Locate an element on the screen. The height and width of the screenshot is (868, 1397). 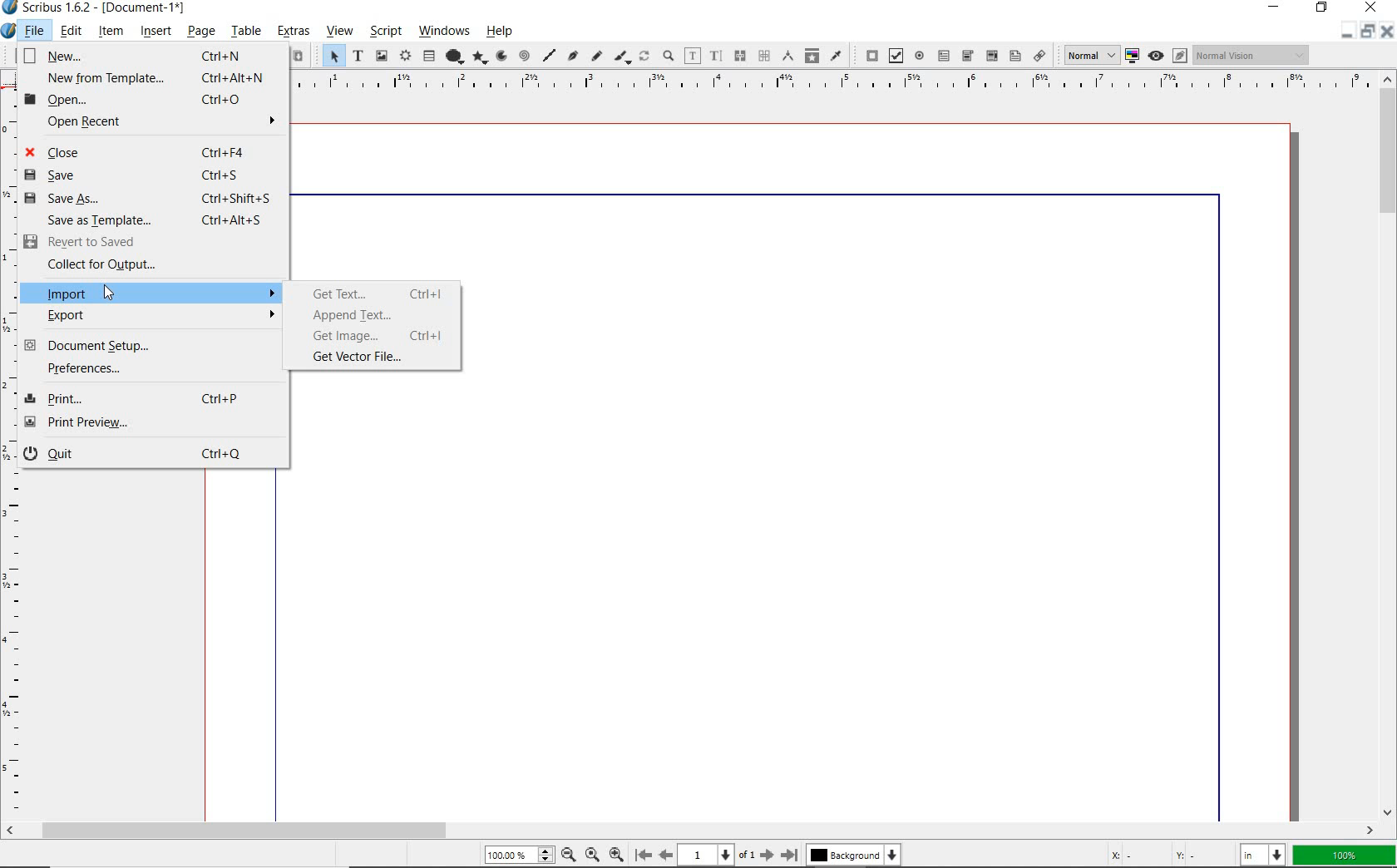
Import is located at coordinates (153, 293).